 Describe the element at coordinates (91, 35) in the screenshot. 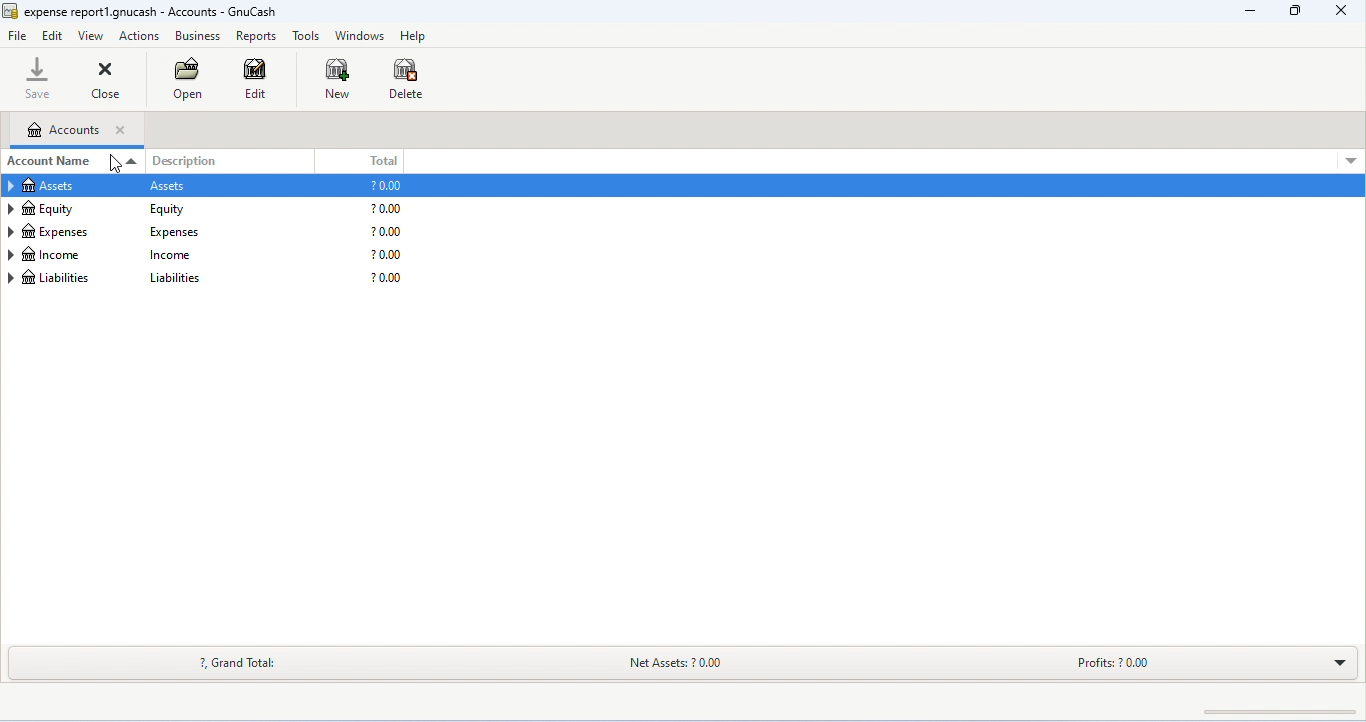

I see `view` at that location.